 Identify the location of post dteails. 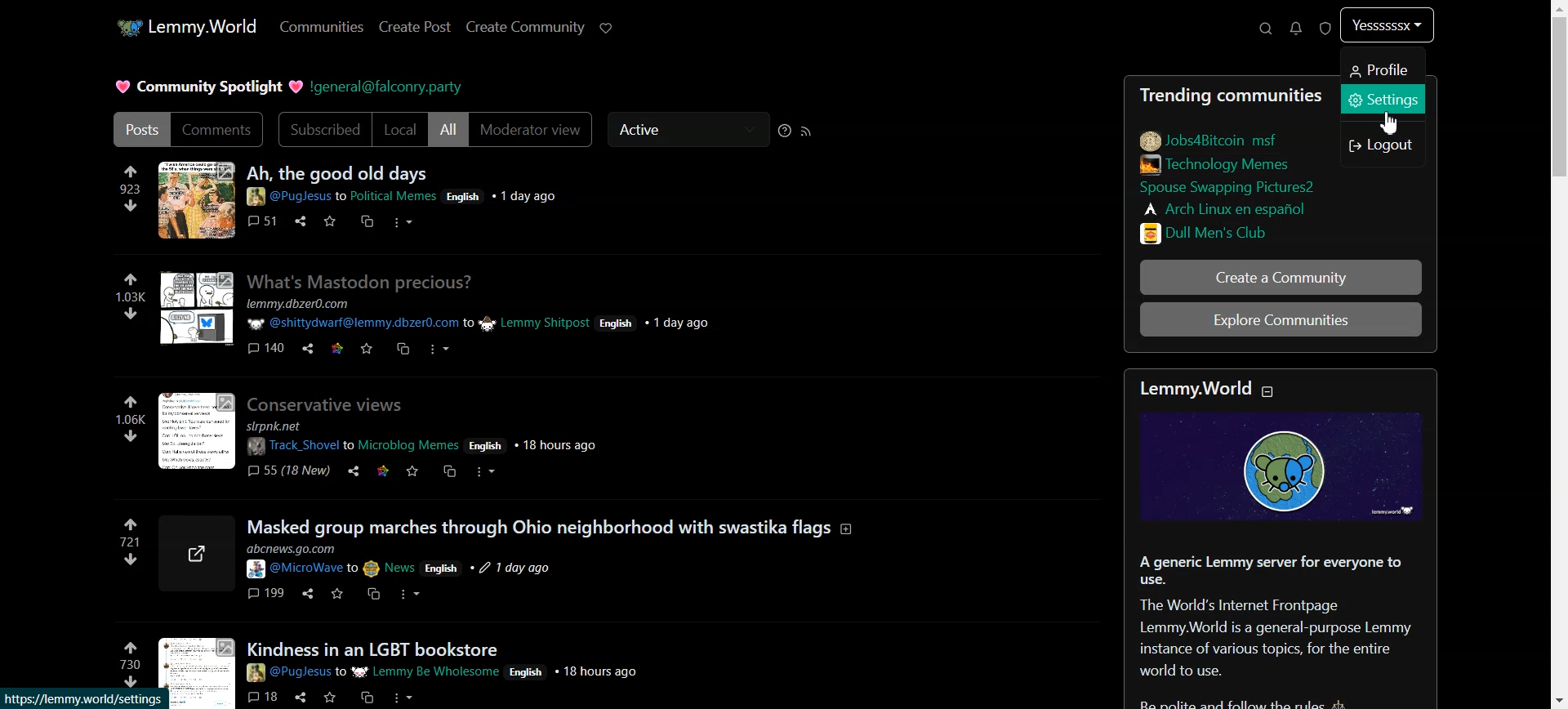
(486, 314).